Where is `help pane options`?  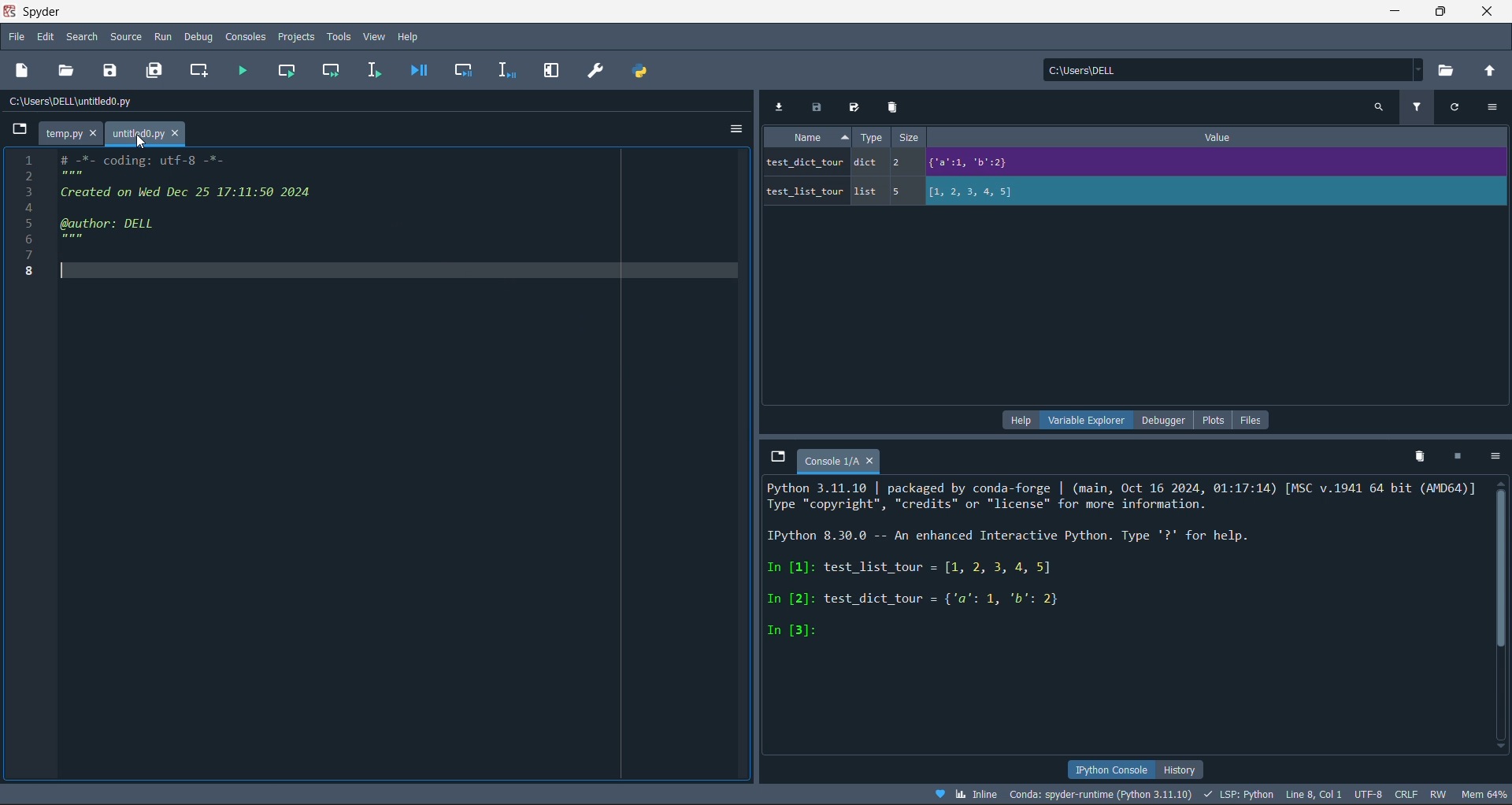
help pane options is located at coordinates (1017, 421).